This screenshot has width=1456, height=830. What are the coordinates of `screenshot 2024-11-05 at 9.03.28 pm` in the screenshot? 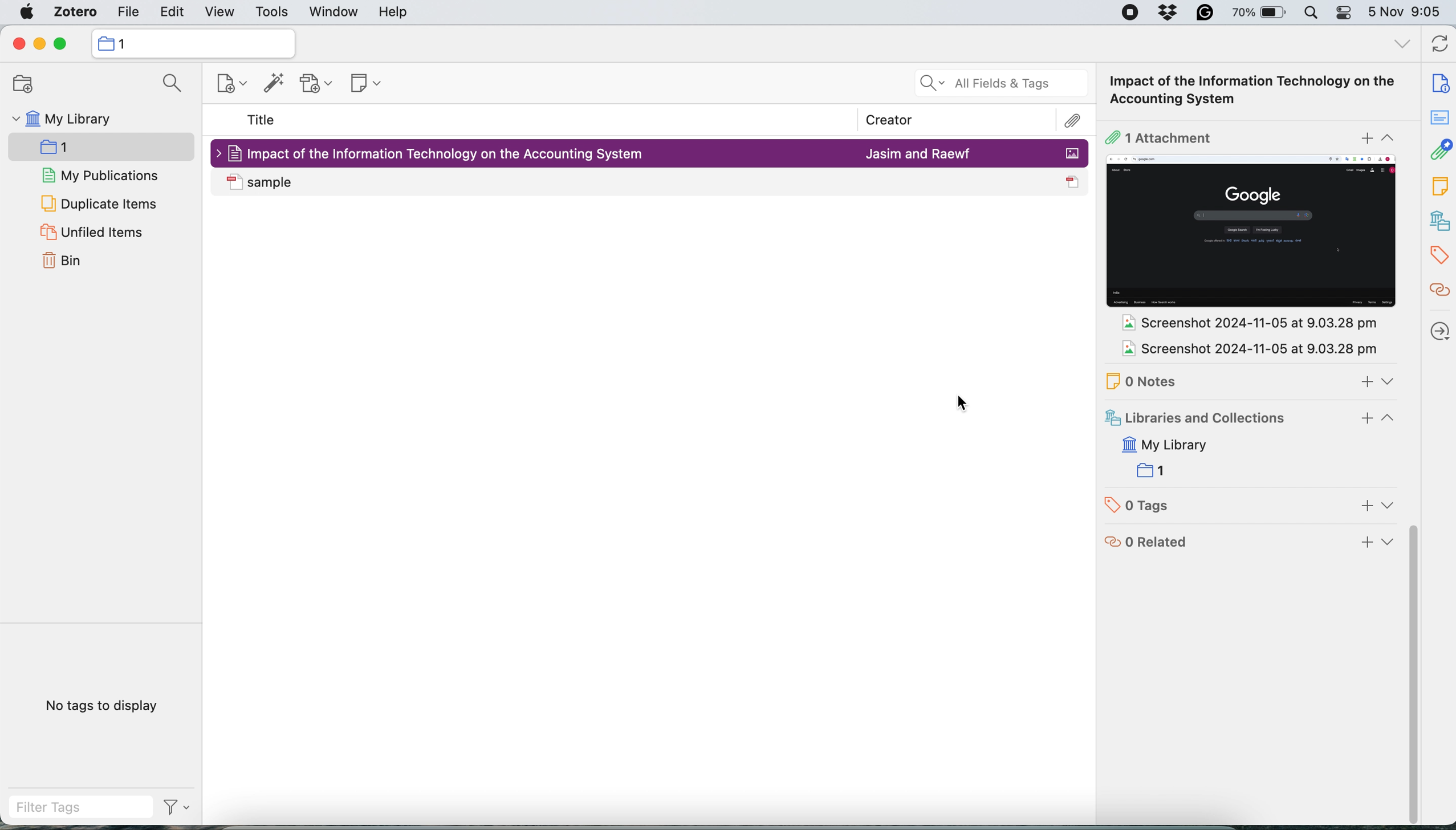 It's located at (1245, 351).